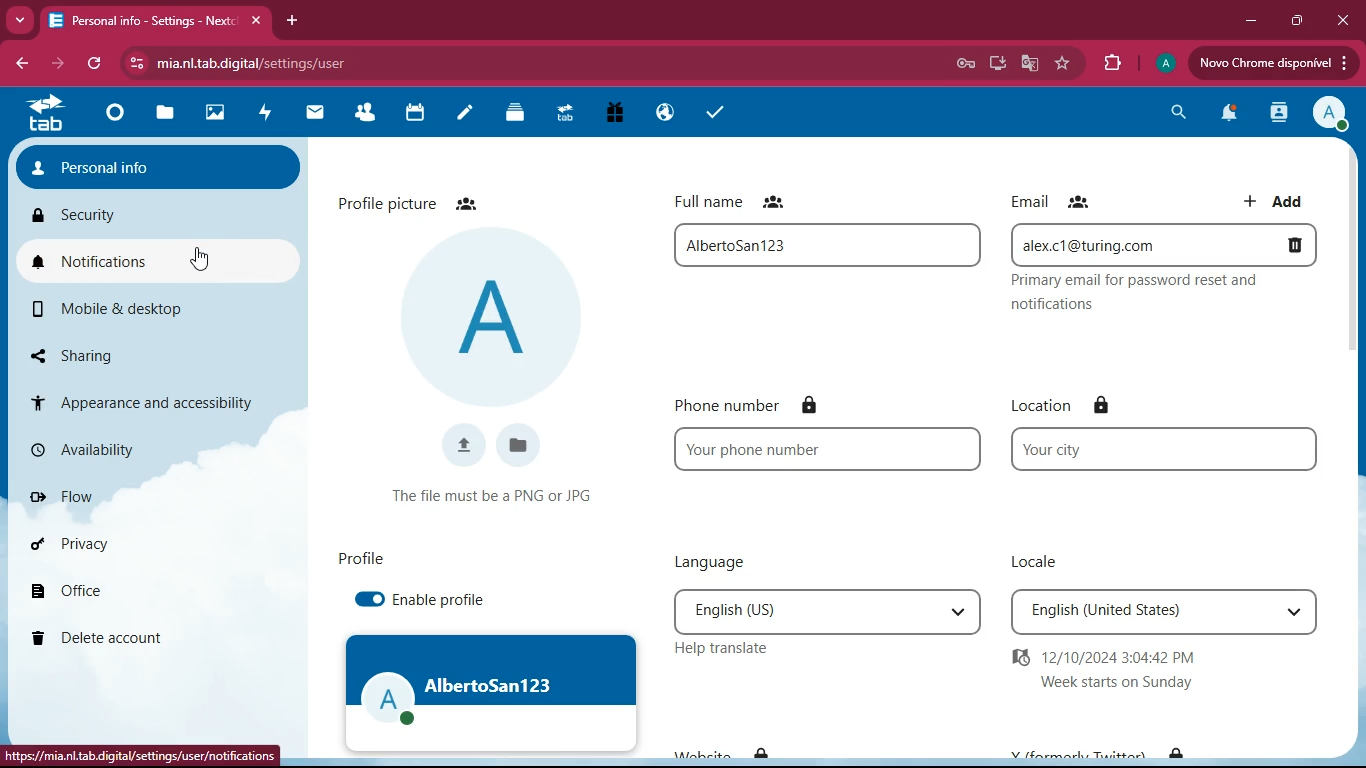 This screenshot has width=1366, height=768. I want to click on scroll bar, so click(1357, 321).